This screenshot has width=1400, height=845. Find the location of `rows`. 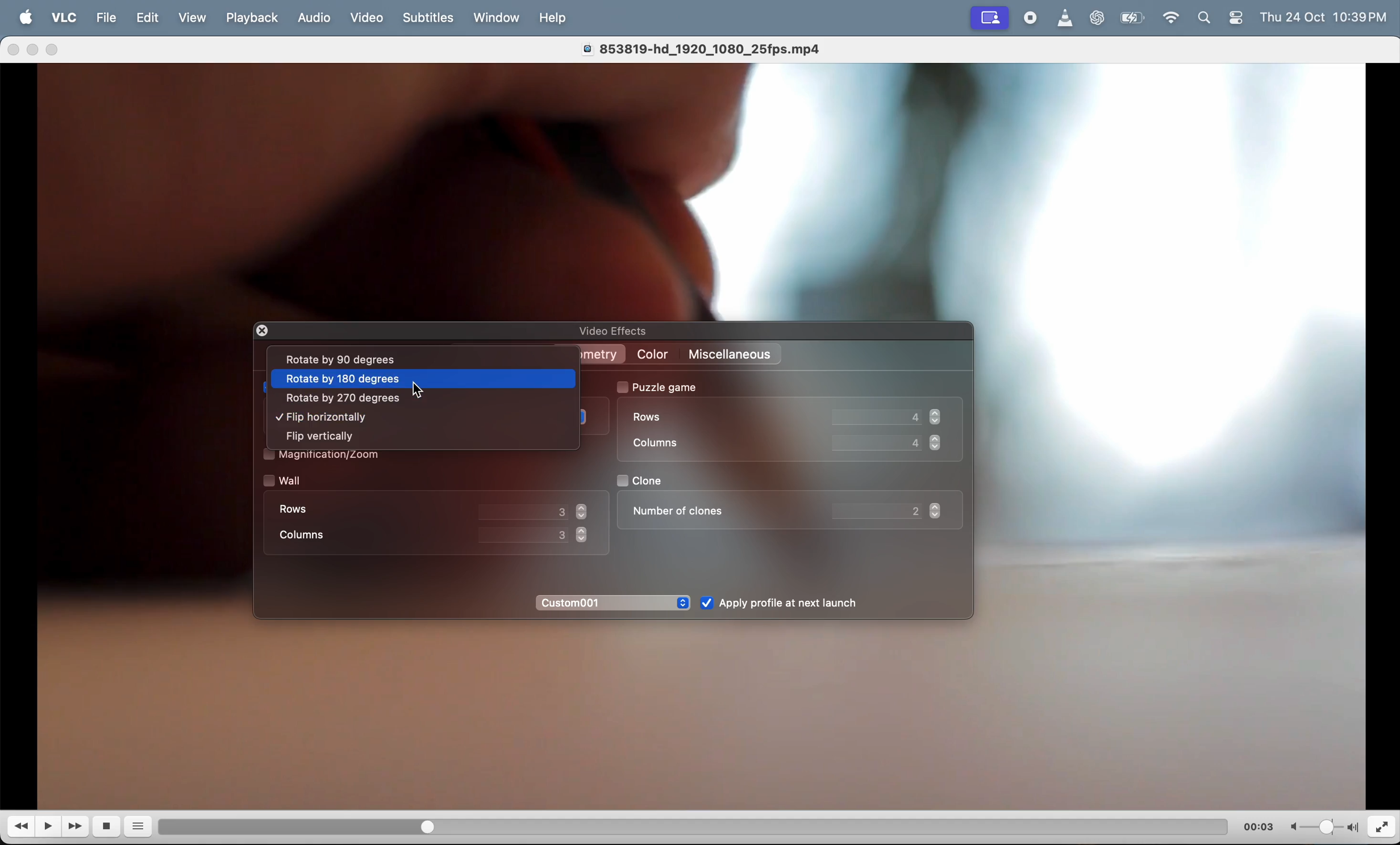

rows is located at coordinates (295, 511).